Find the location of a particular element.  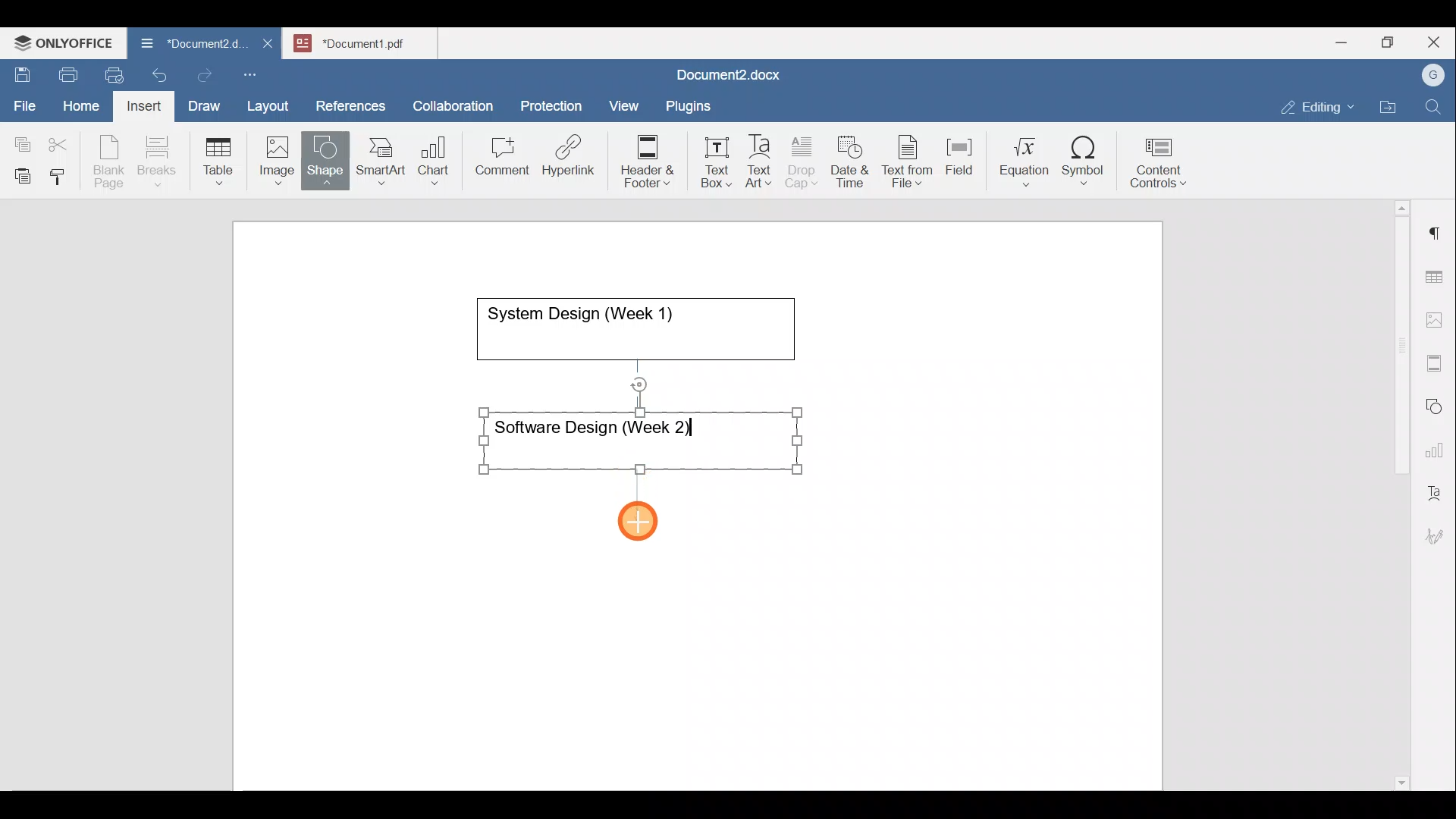

Comment is located at coordinates (497, 160).